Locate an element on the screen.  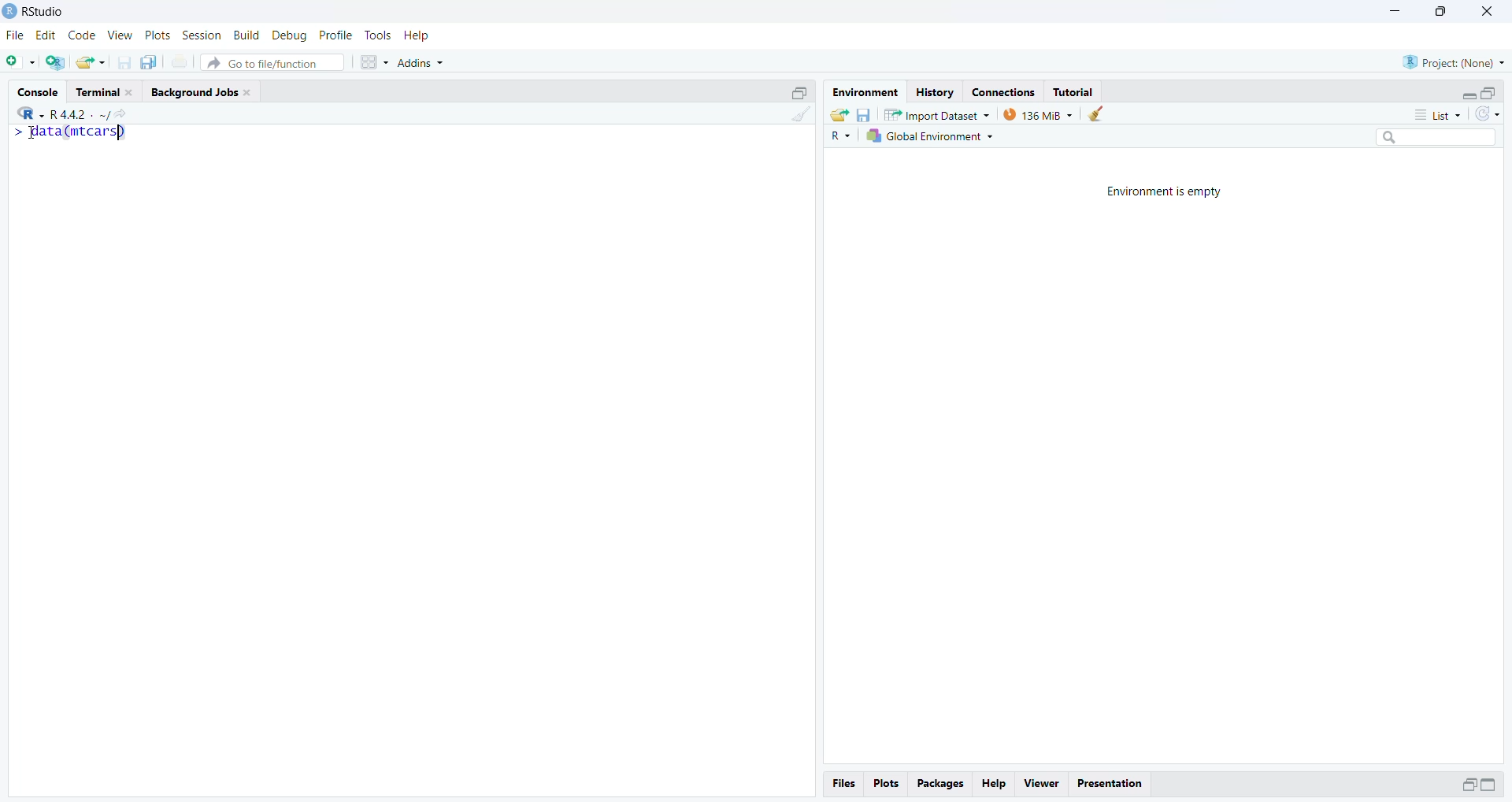
Project (None) is located at coordinates (1455, 61).